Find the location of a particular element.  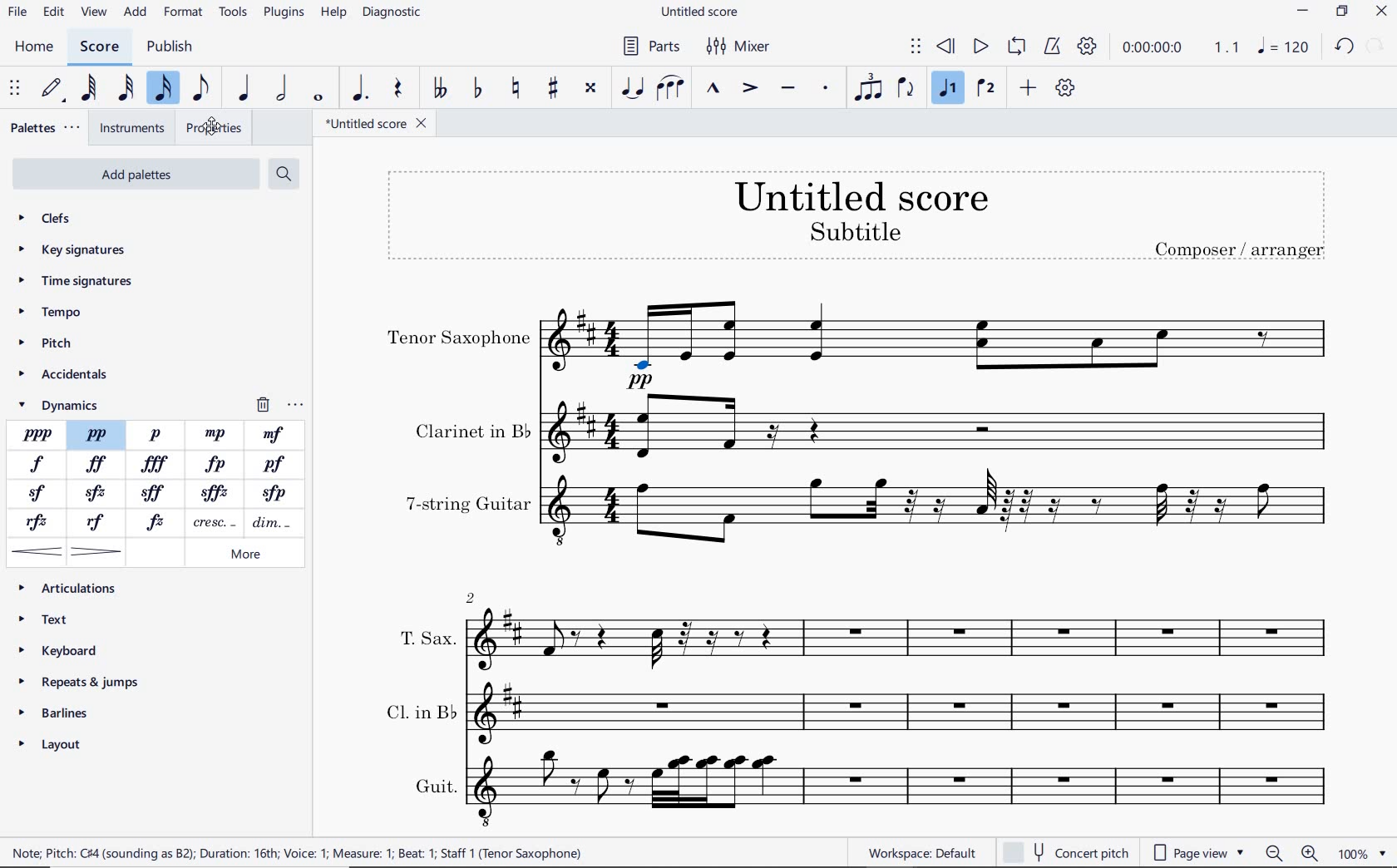

SFF(SFORZANDO) is located at coordinates (156, 491).